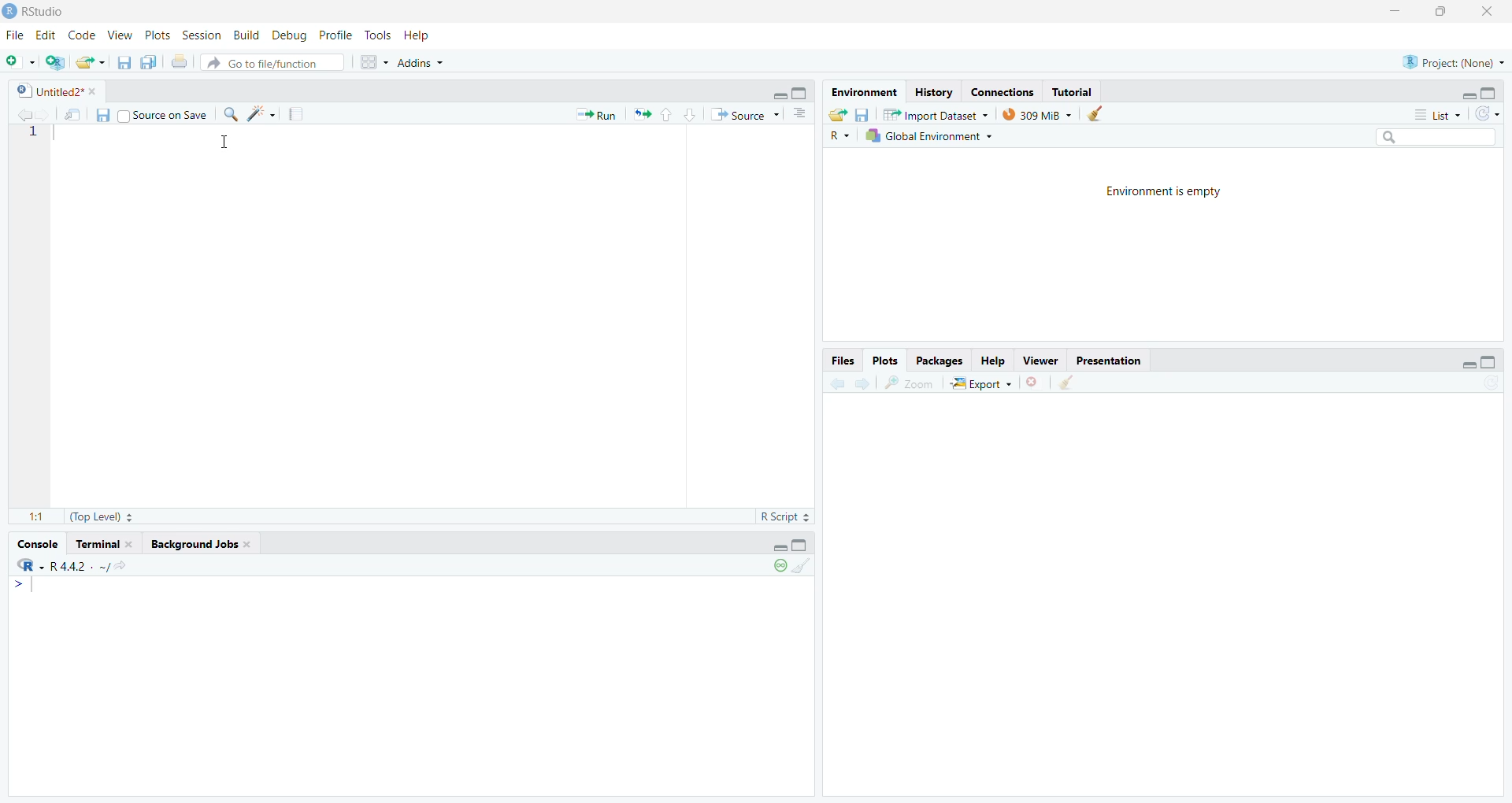  I want to click on grid, so click(368, 65).